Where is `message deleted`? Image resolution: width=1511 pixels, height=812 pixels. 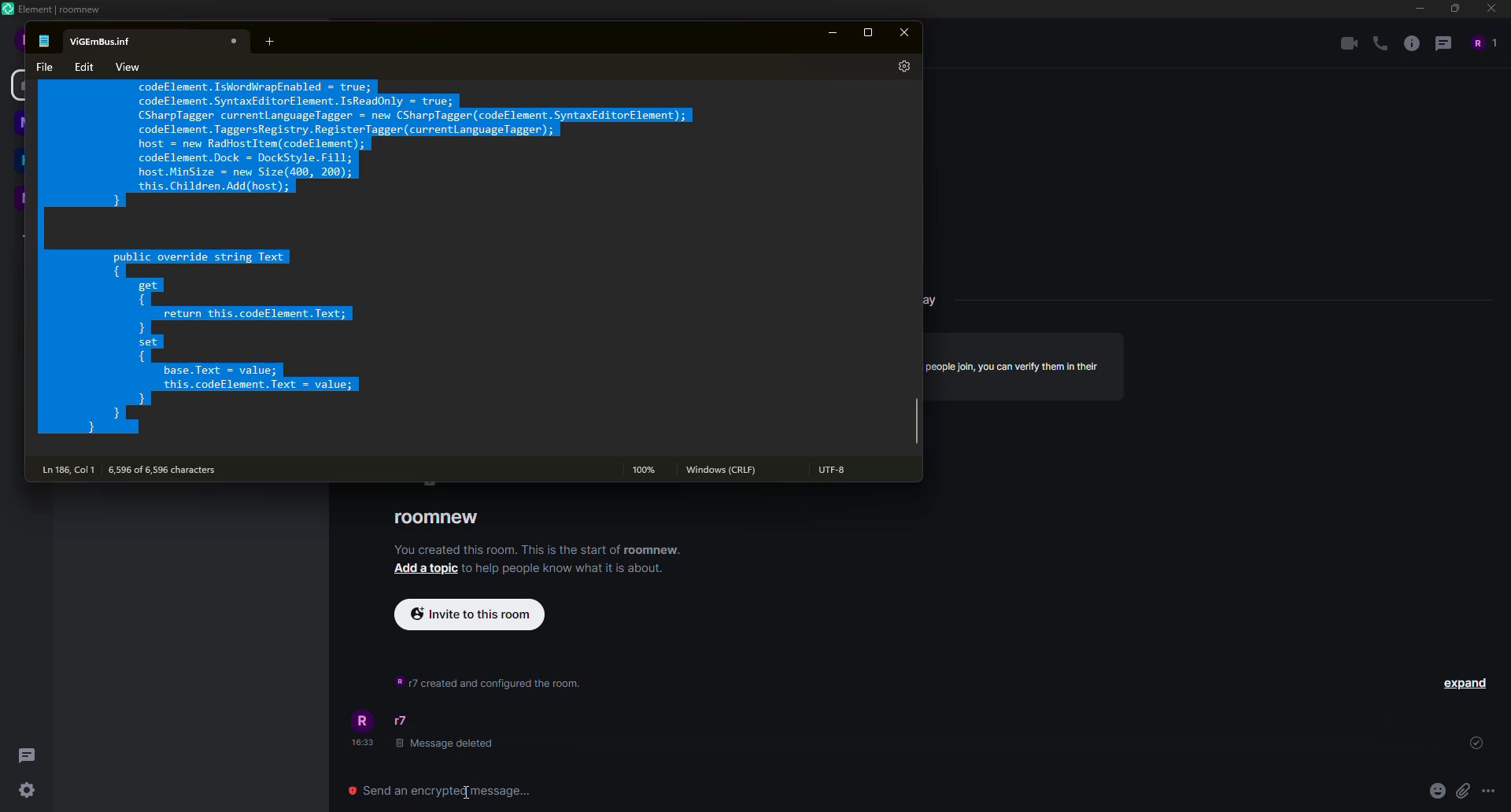
message deleted is located at coordinates (446, 744).